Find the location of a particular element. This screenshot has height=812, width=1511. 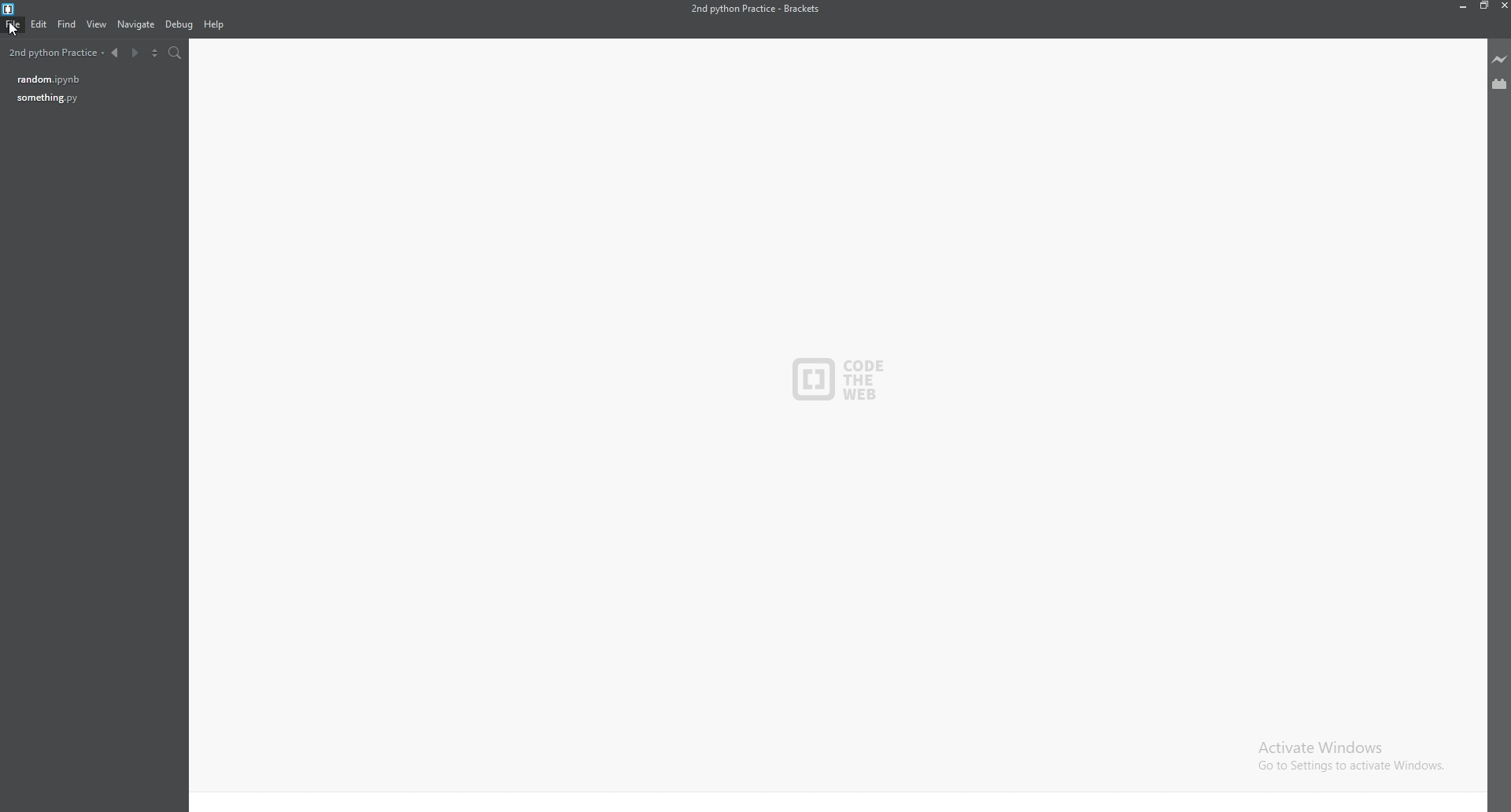

minimize is located at coordinates (1464, 6).